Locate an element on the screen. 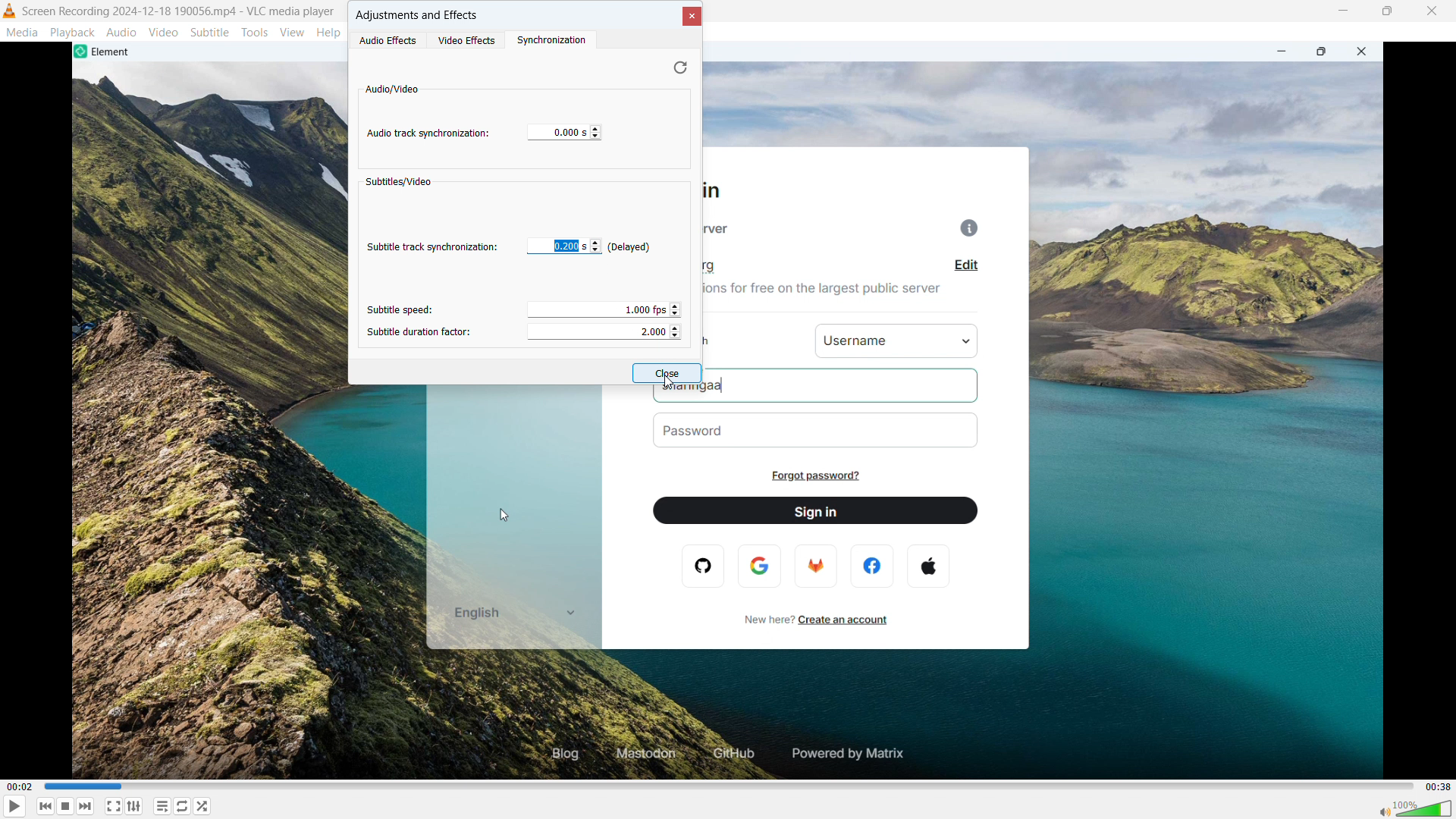 The width and height of the screenshot is (1456, 819). forgot password? is located at coordinates (818, 477).